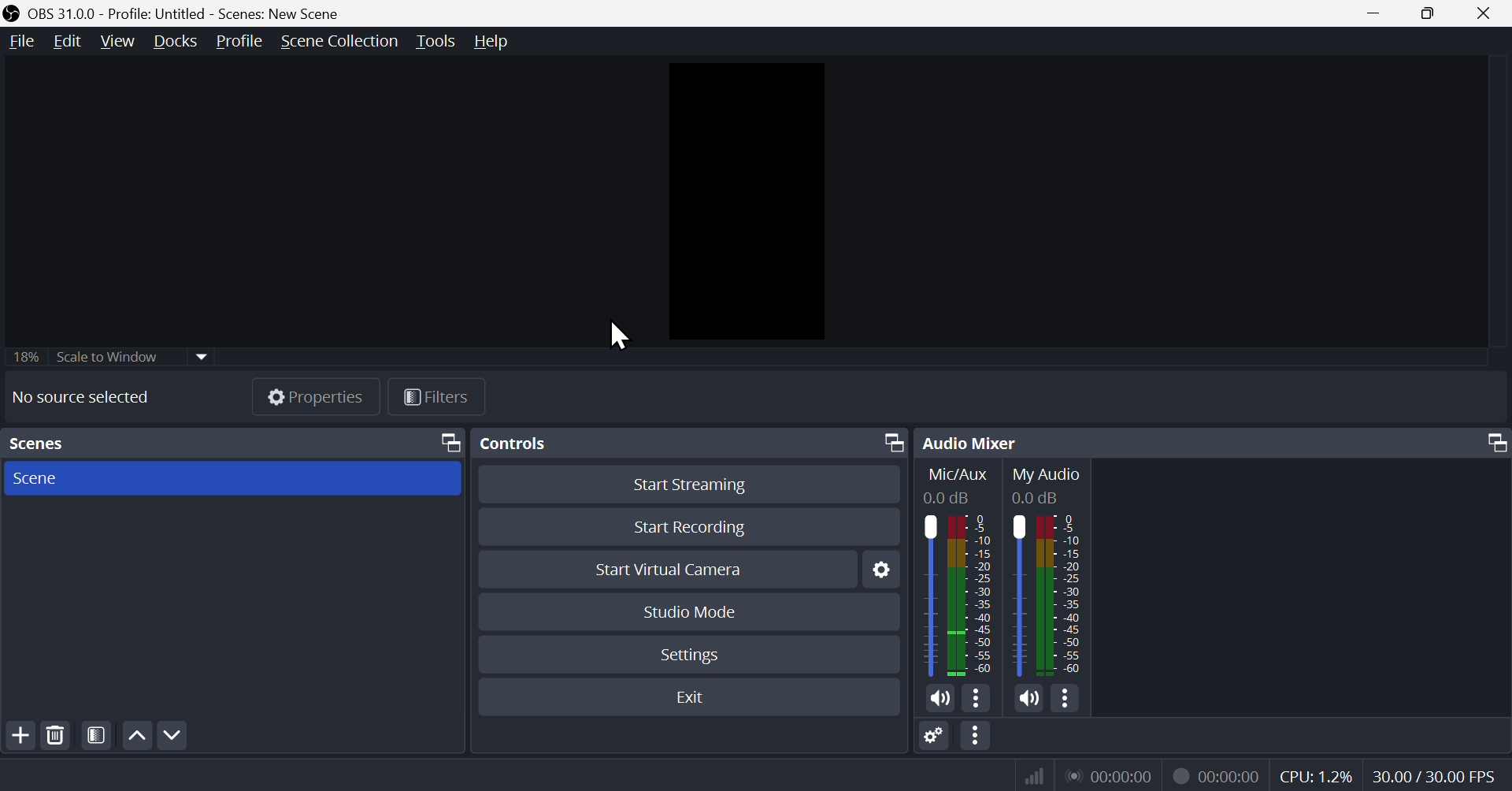  Describe the element at coordinates (1488, 14) in the screenshot. I see `Close` at that location.